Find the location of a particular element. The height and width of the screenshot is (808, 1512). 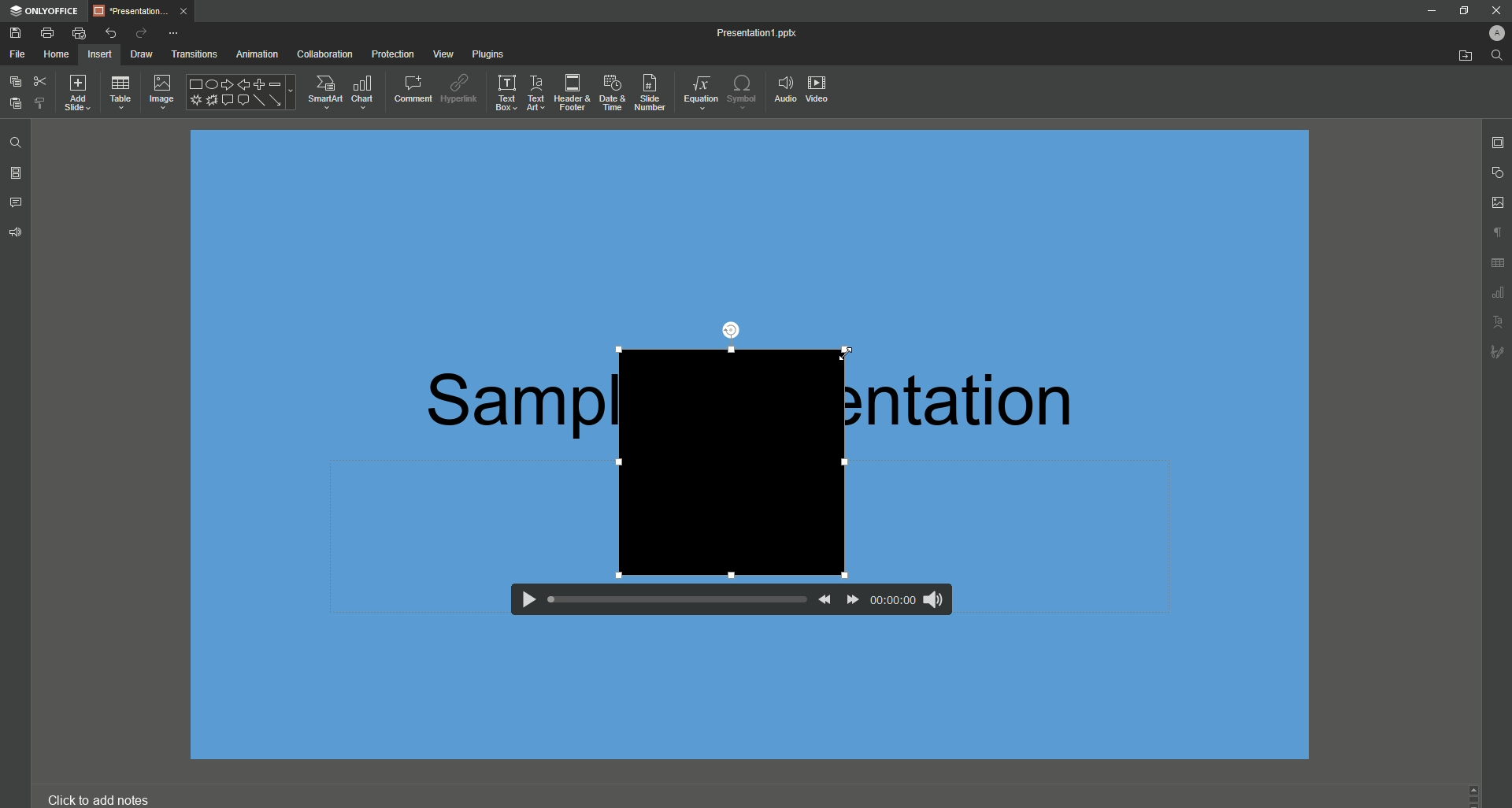

Presentation1 is located at coordinates (744, 35).